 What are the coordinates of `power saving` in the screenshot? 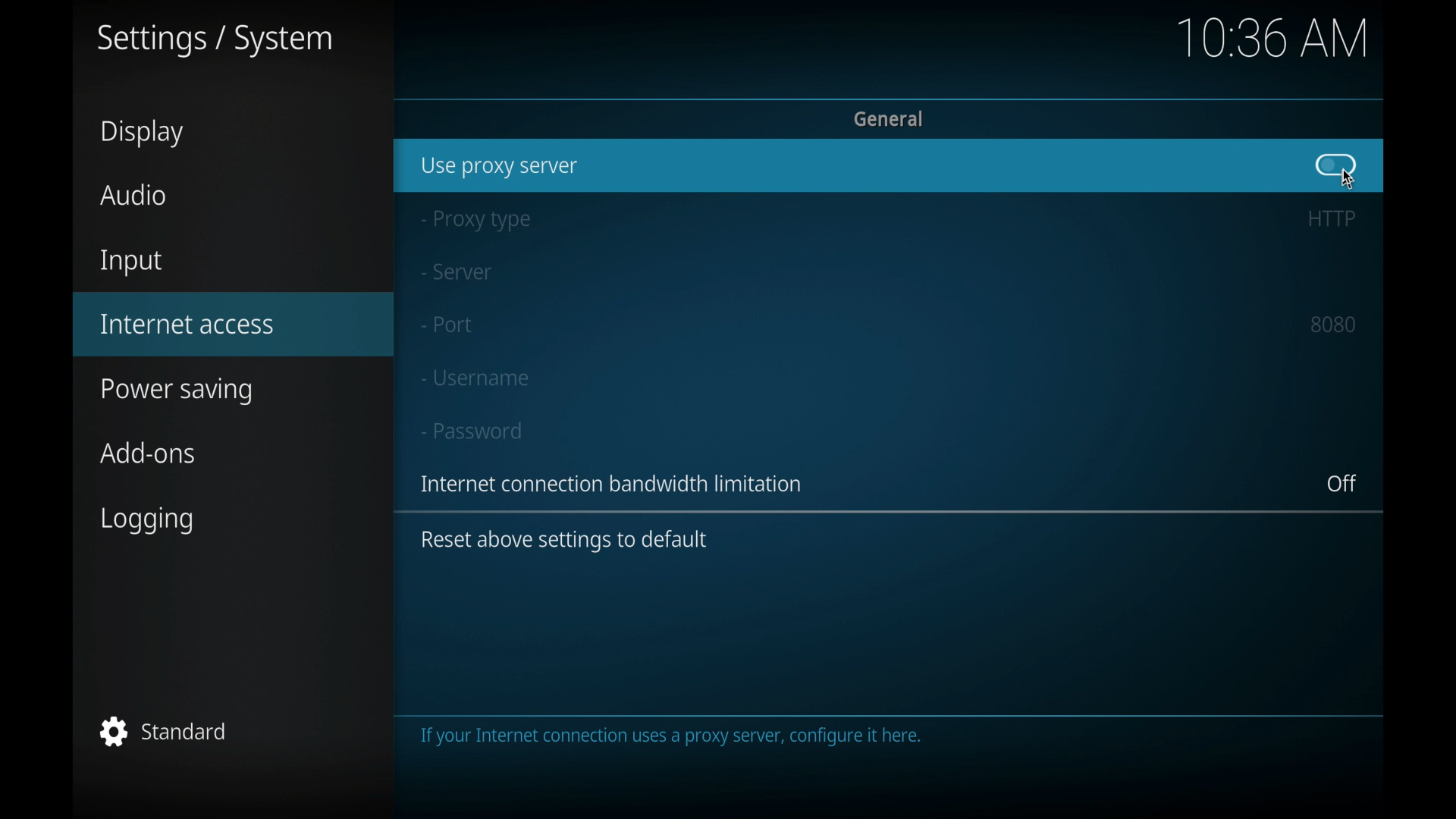 It's located at (177, 393).